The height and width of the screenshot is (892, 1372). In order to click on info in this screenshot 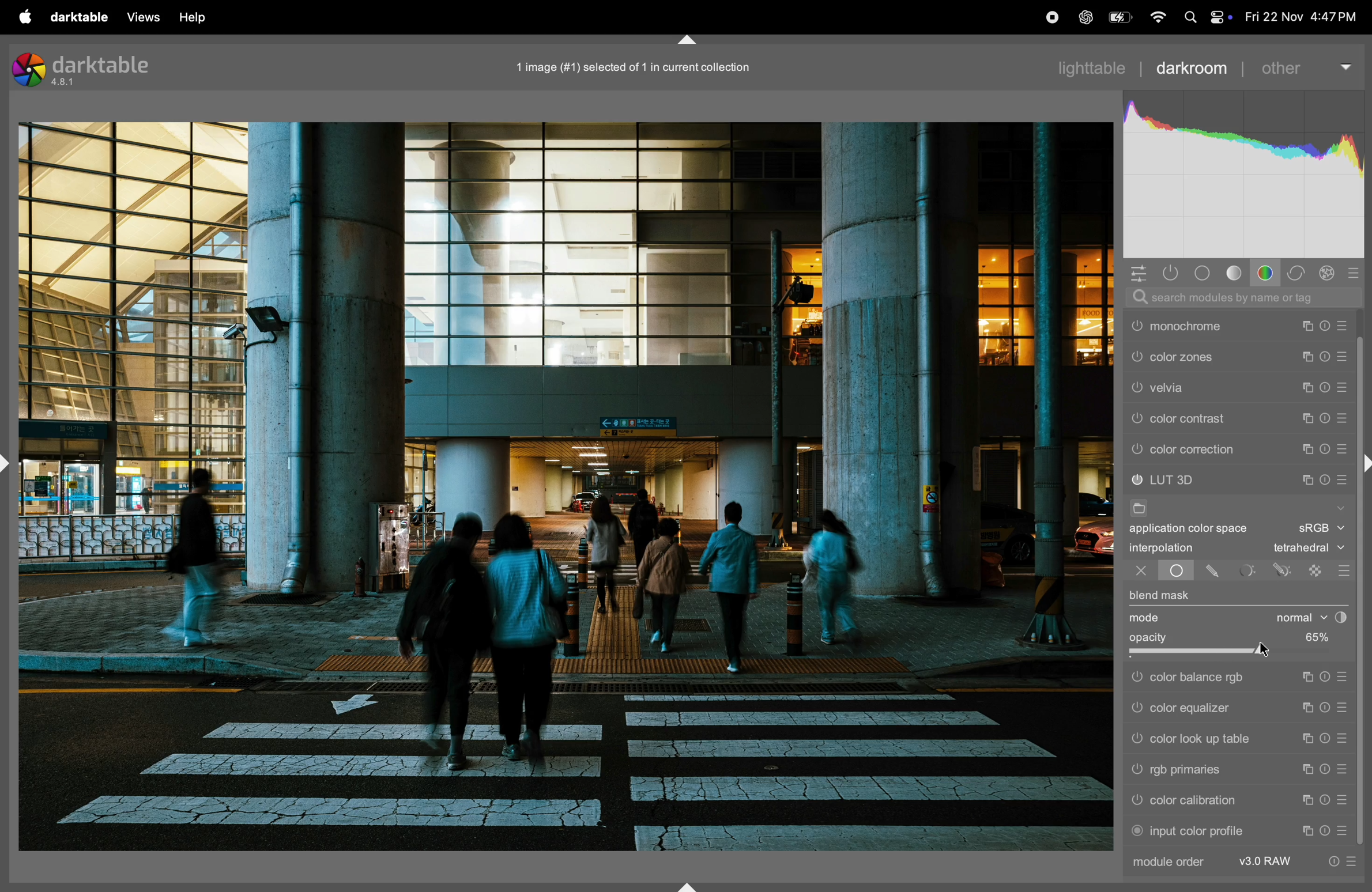, I will do `click(1347, 860)`.